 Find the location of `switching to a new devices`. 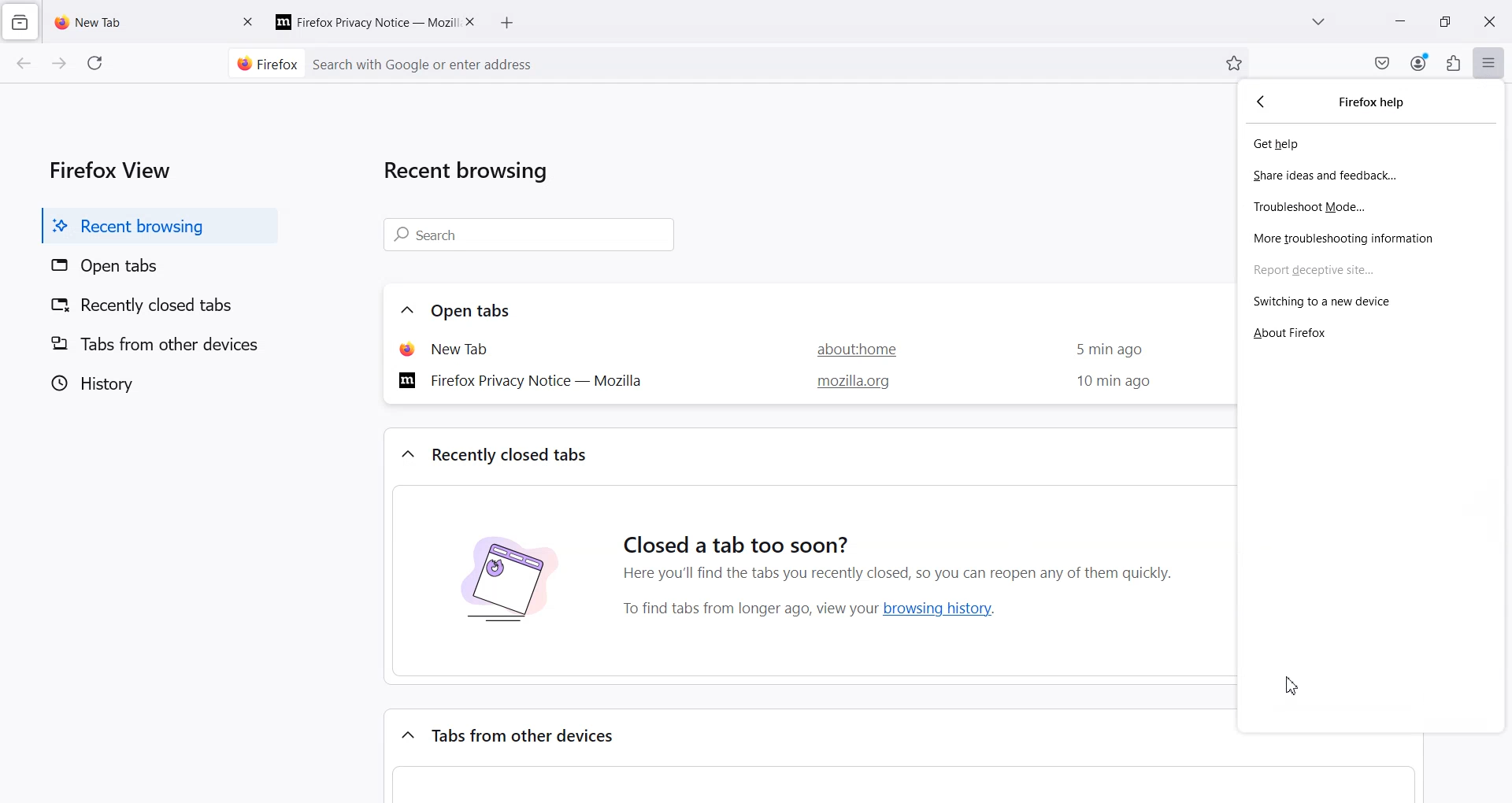

switching to a new devices is located at coordinates (1371, 302).